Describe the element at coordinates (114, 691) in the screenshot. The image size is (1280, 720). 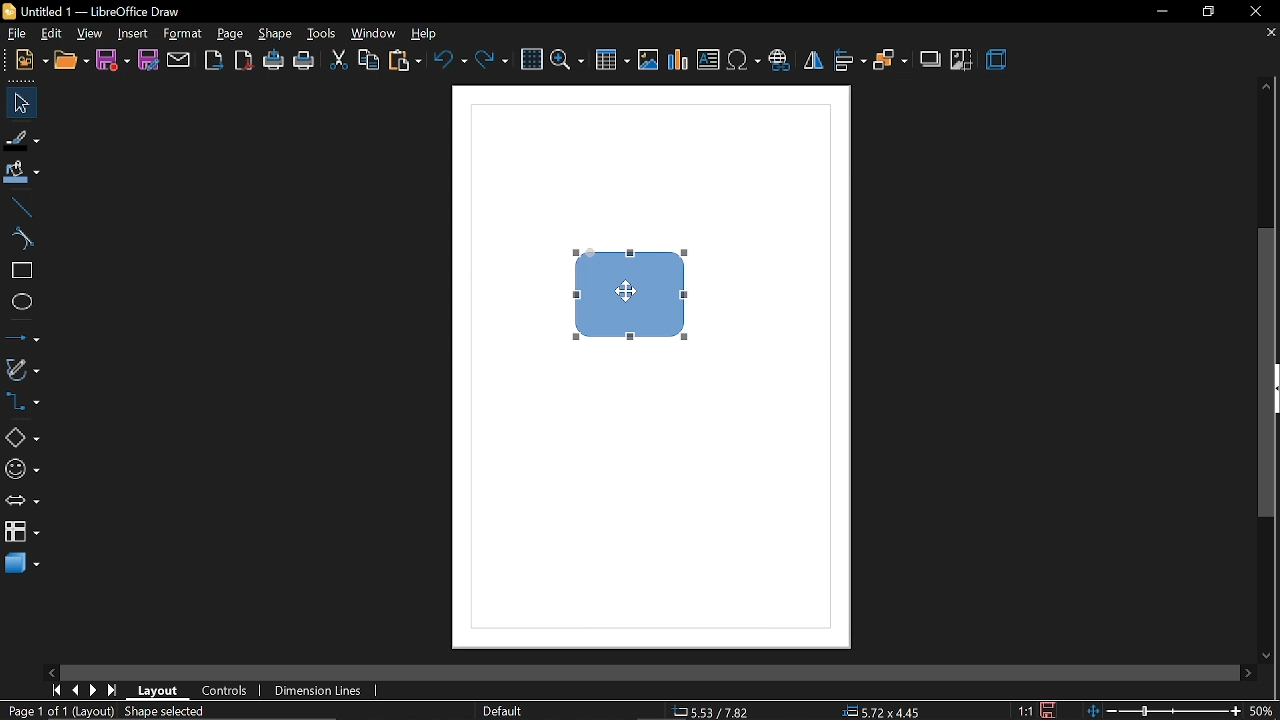
I see `go to last page` at that location.